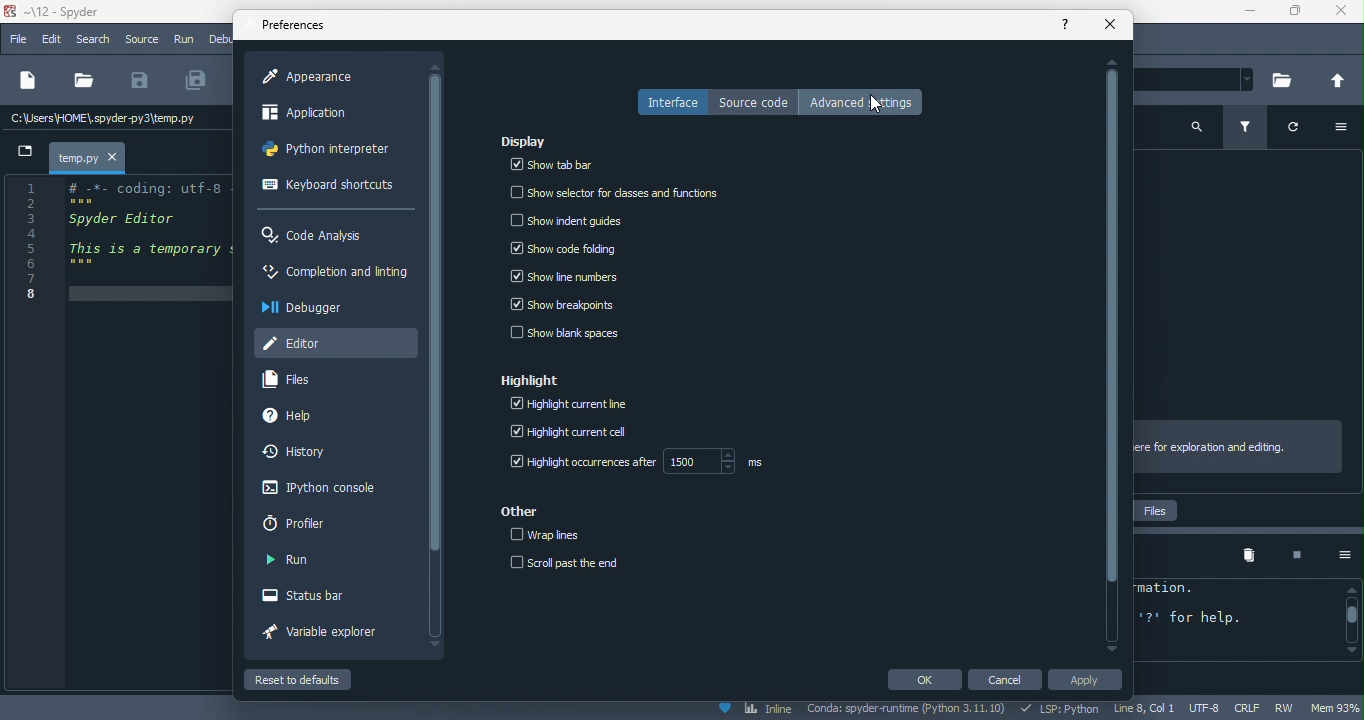 Image resolution: width=1364 pixels, height=720 pixels. I want to click on , so click(1340, 80).